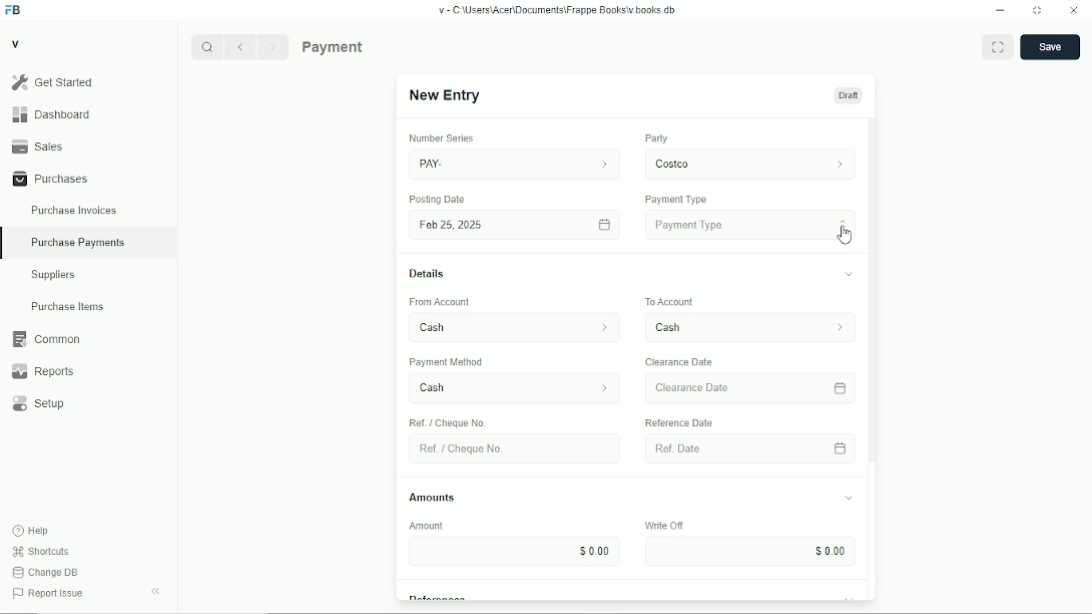 Image resolution: width=1092 pixels, height=614 pixels. Describe the element at coordinates (88, 178) in the screenshot. I see `Purchases` at that location.